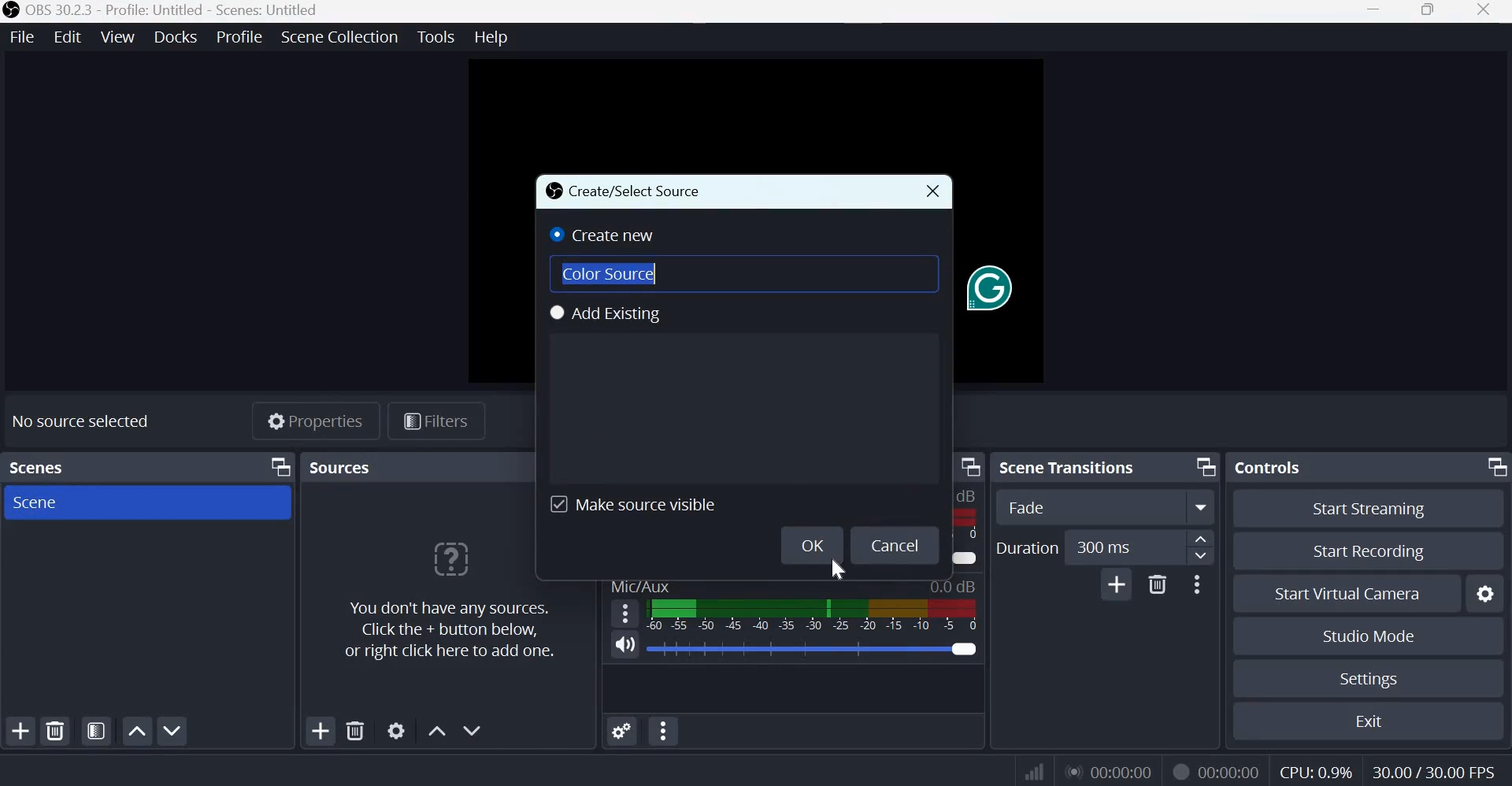  I want to click on More options, so click(1197, 584).